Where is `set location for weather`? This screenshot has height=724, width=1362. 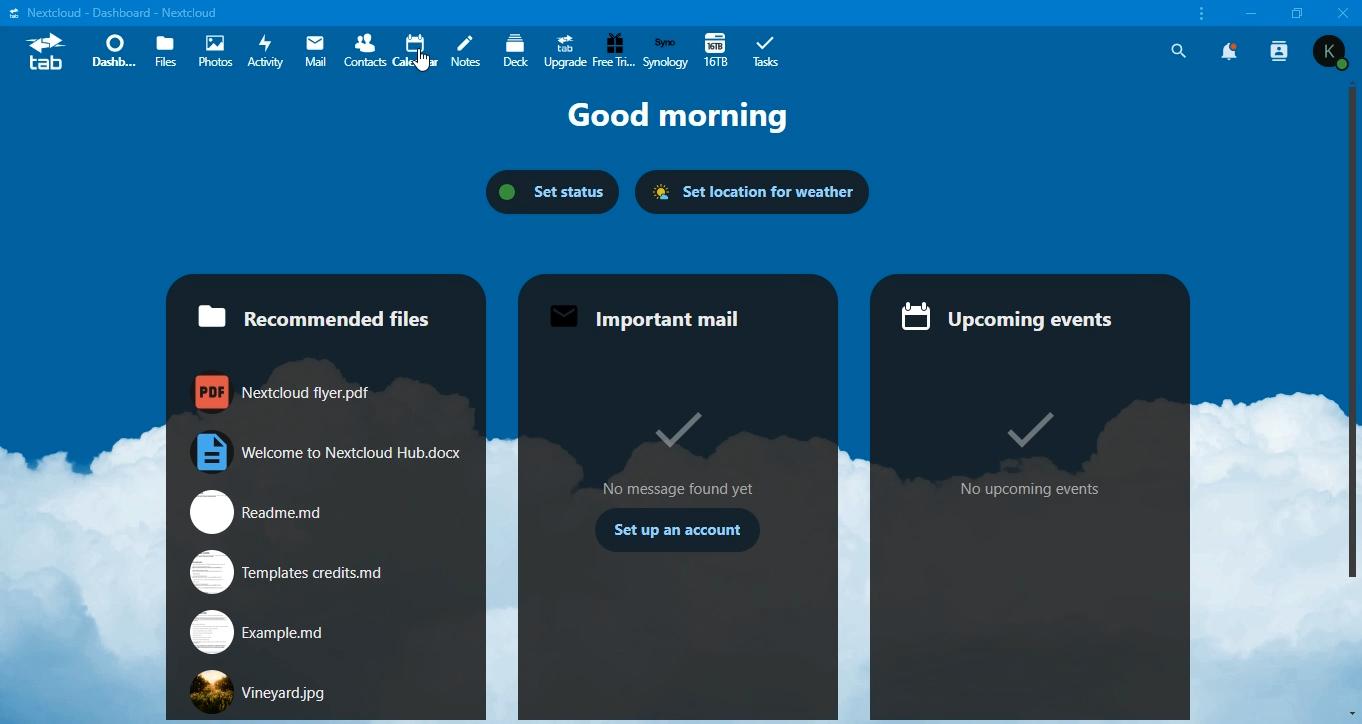
set location for weather is located at coordinates (756, 190).